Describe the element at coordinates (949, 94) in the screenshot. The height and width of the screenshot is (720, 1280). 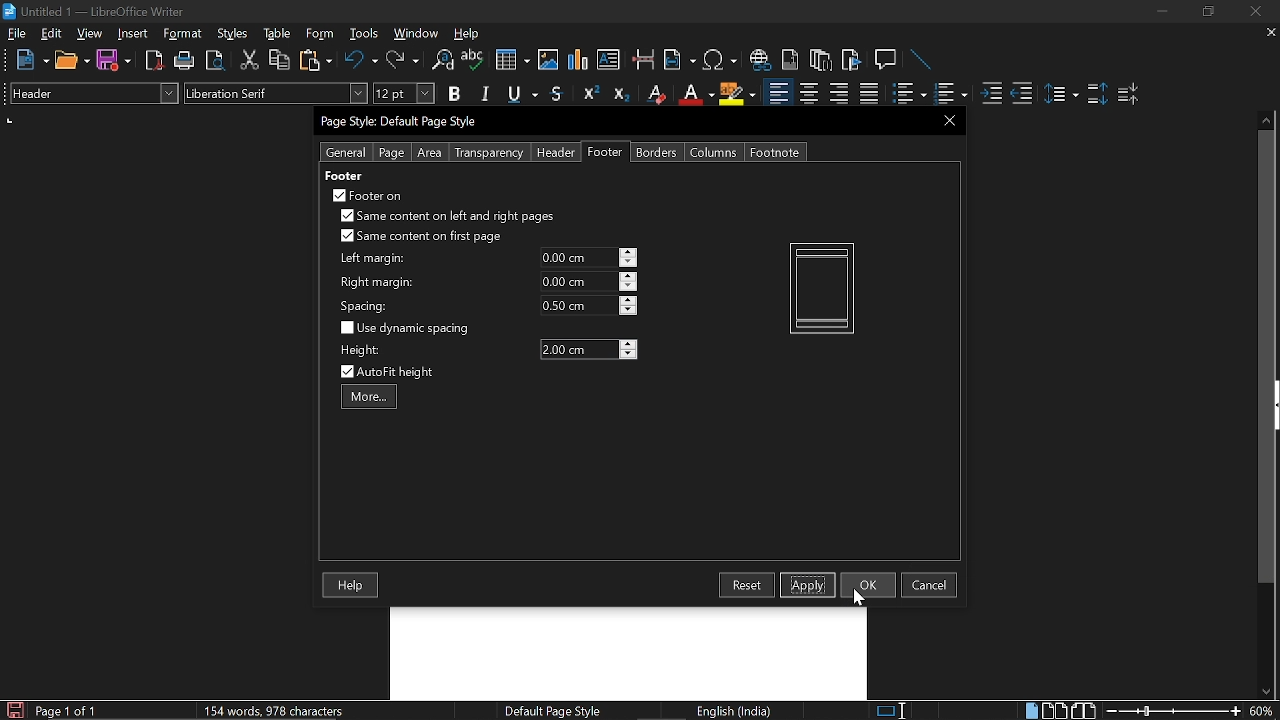
I see `Toggle unordered list` at that location.